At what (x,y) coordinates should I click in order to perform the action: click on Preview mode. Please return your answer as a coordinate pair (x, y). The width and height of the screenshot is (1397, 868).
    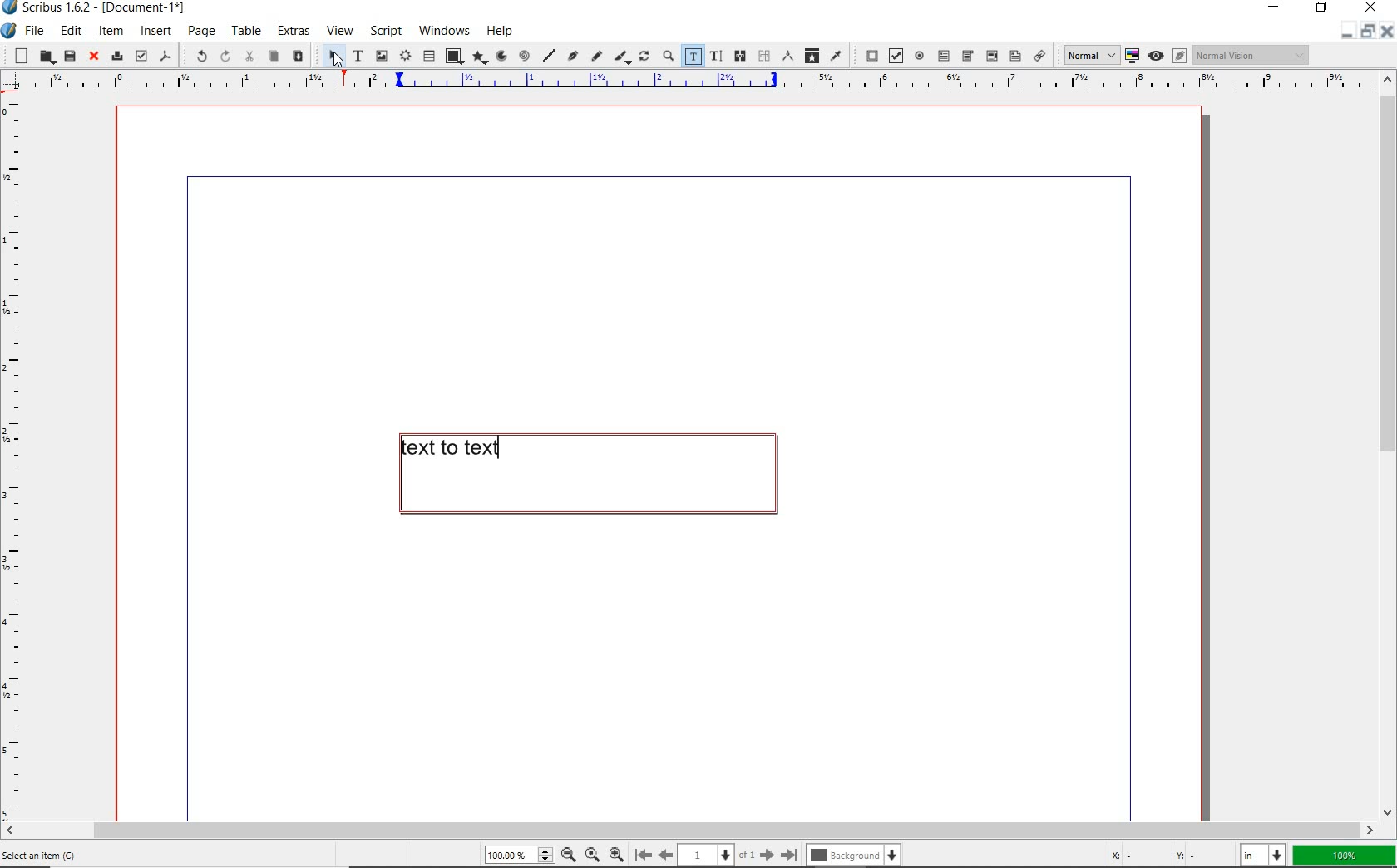
    Looking at the image, I should click on (1155, 55).